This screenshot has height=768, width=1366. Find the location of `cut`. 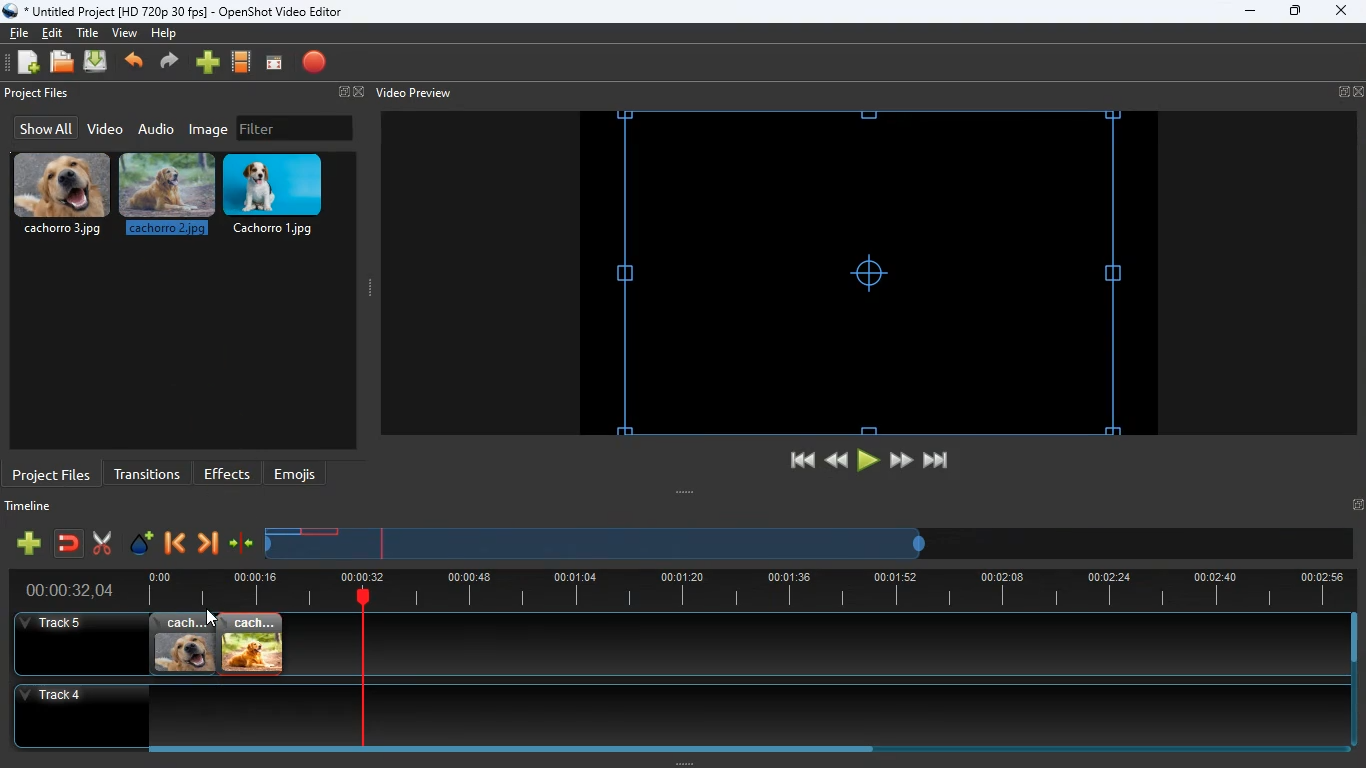

cut is located at coordinates (102, 543).